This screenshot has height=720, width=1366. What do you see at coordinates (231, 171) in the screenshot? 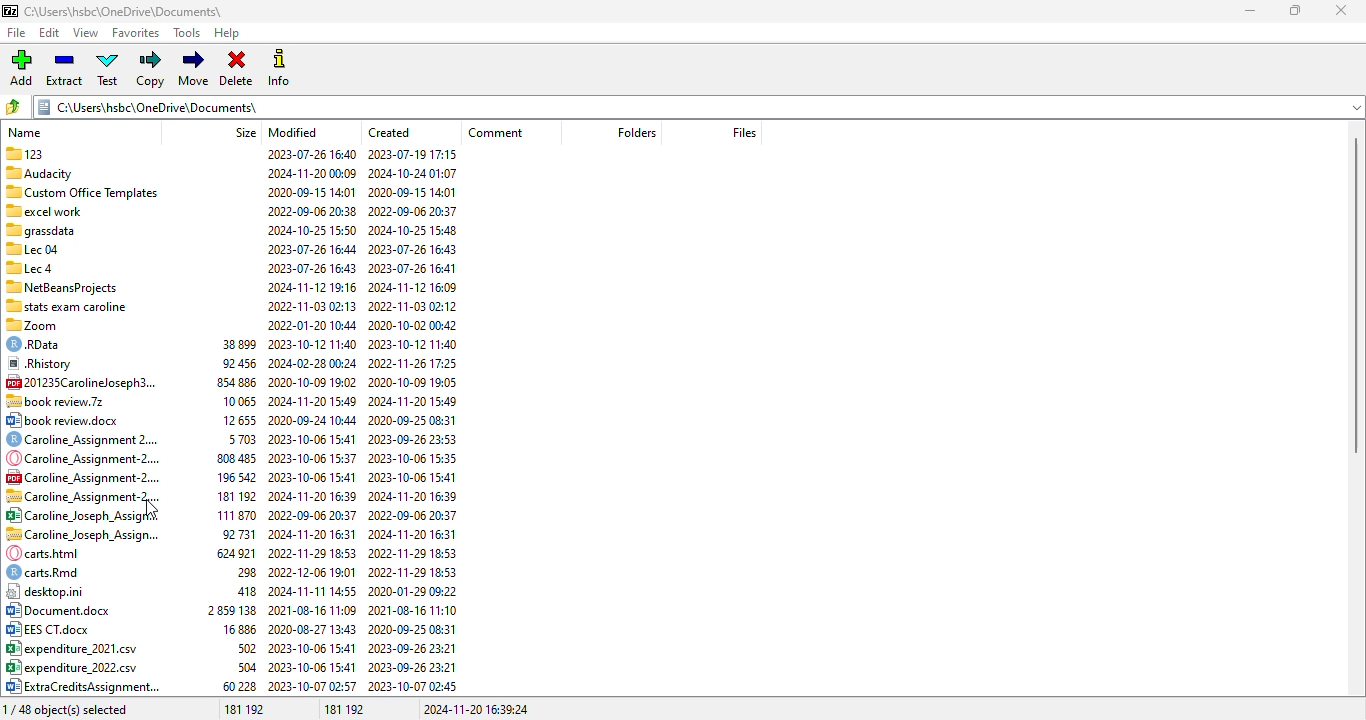
I see `88 Audacity 2024-11-2000:09 2024-10-24 01:07` at bounding box center [231, 171].